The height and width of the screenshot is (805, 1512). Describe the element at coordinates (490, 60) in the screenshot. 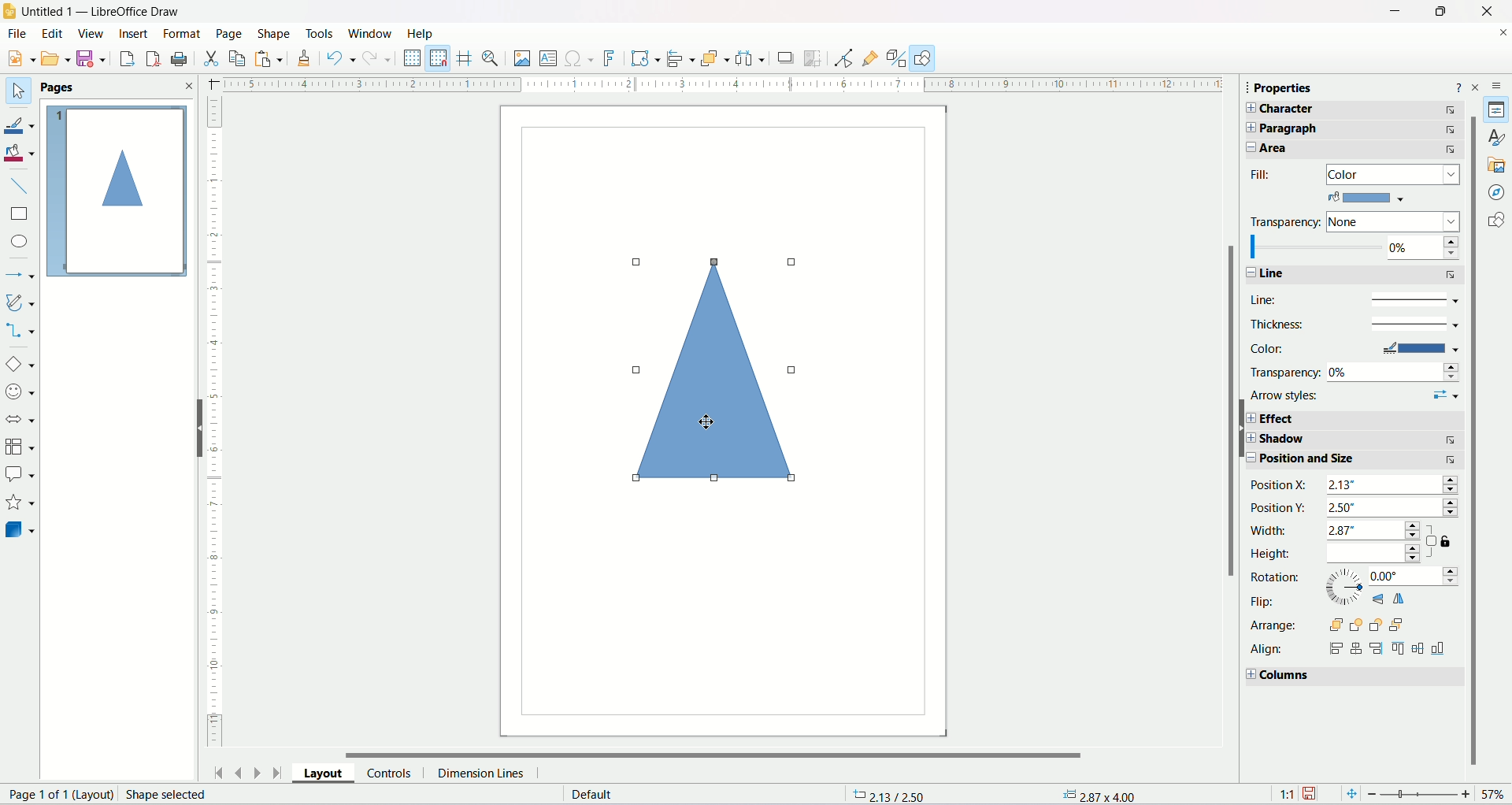

I see `Zoom and Pan` at that location.